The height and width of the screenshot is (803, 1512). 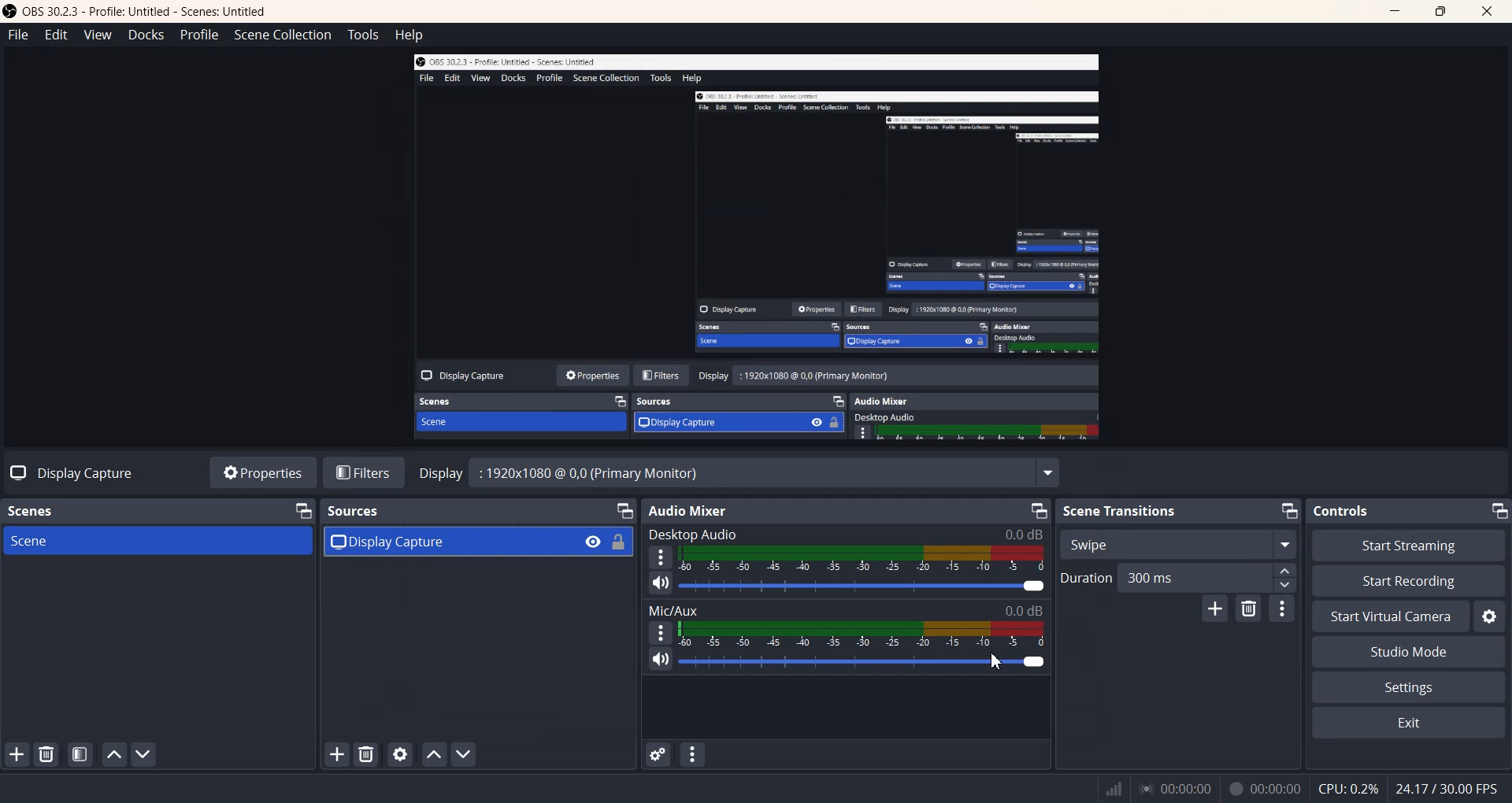 What do you see at coordinates (337, 754) in the screenshot?
I see `Add Sources` at bounding box center [337, 754].